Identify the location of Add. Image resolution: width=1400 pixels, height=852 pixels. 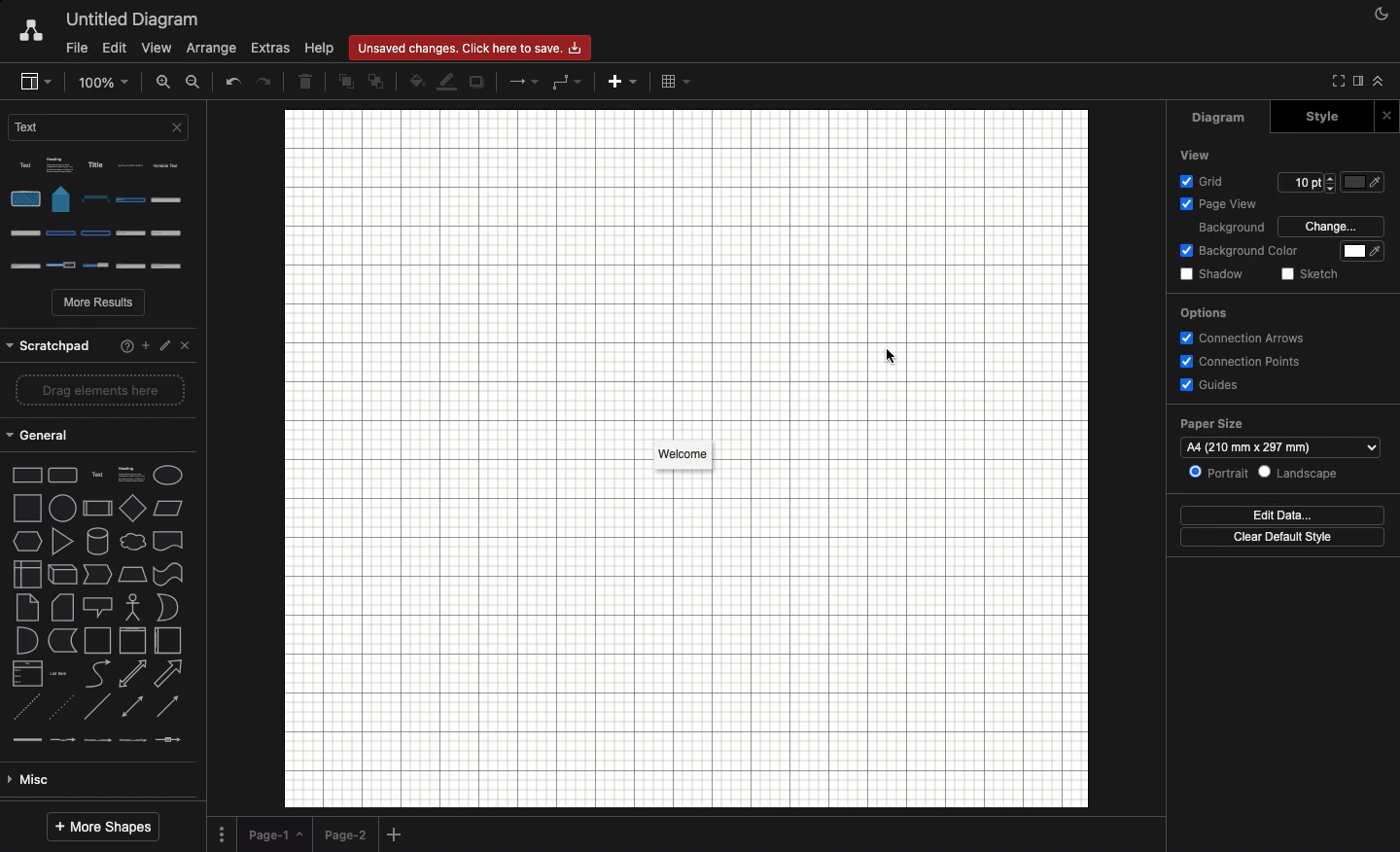
(397, 835).